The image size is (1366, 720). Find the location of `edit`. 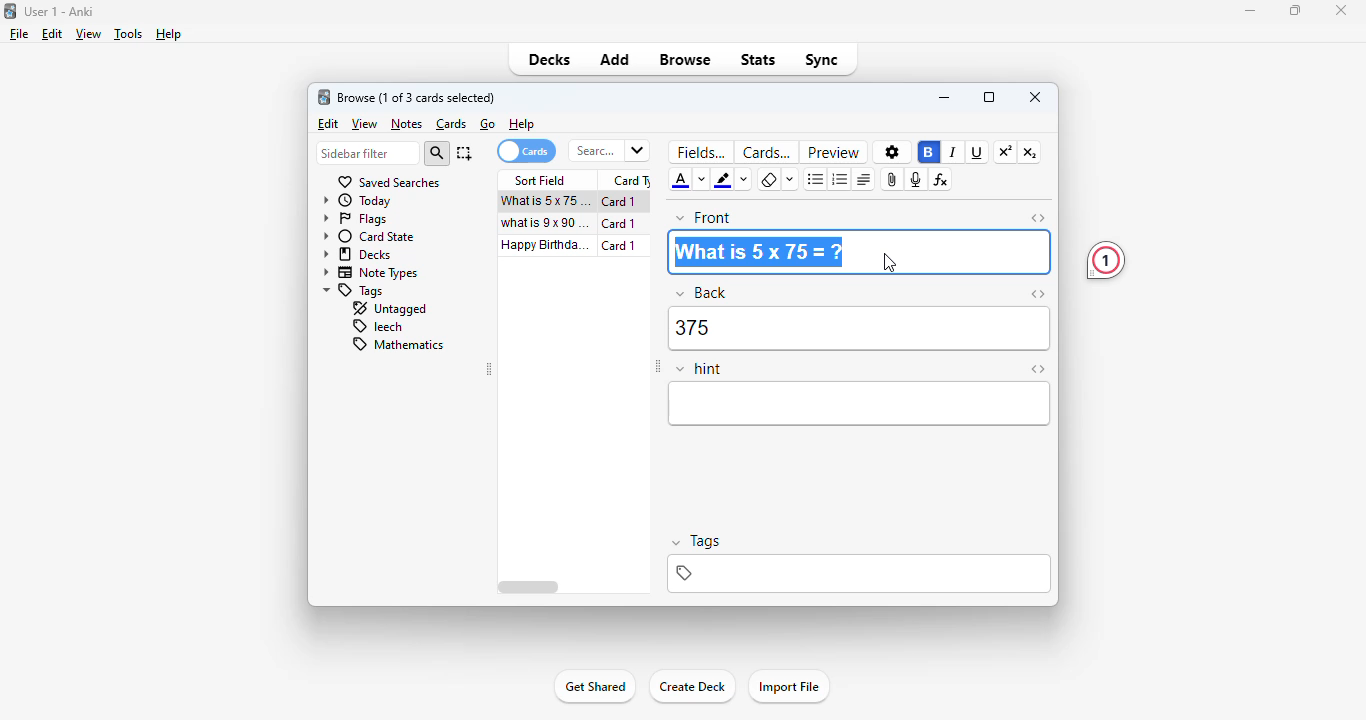

edit is located at coordinates (53, 35).